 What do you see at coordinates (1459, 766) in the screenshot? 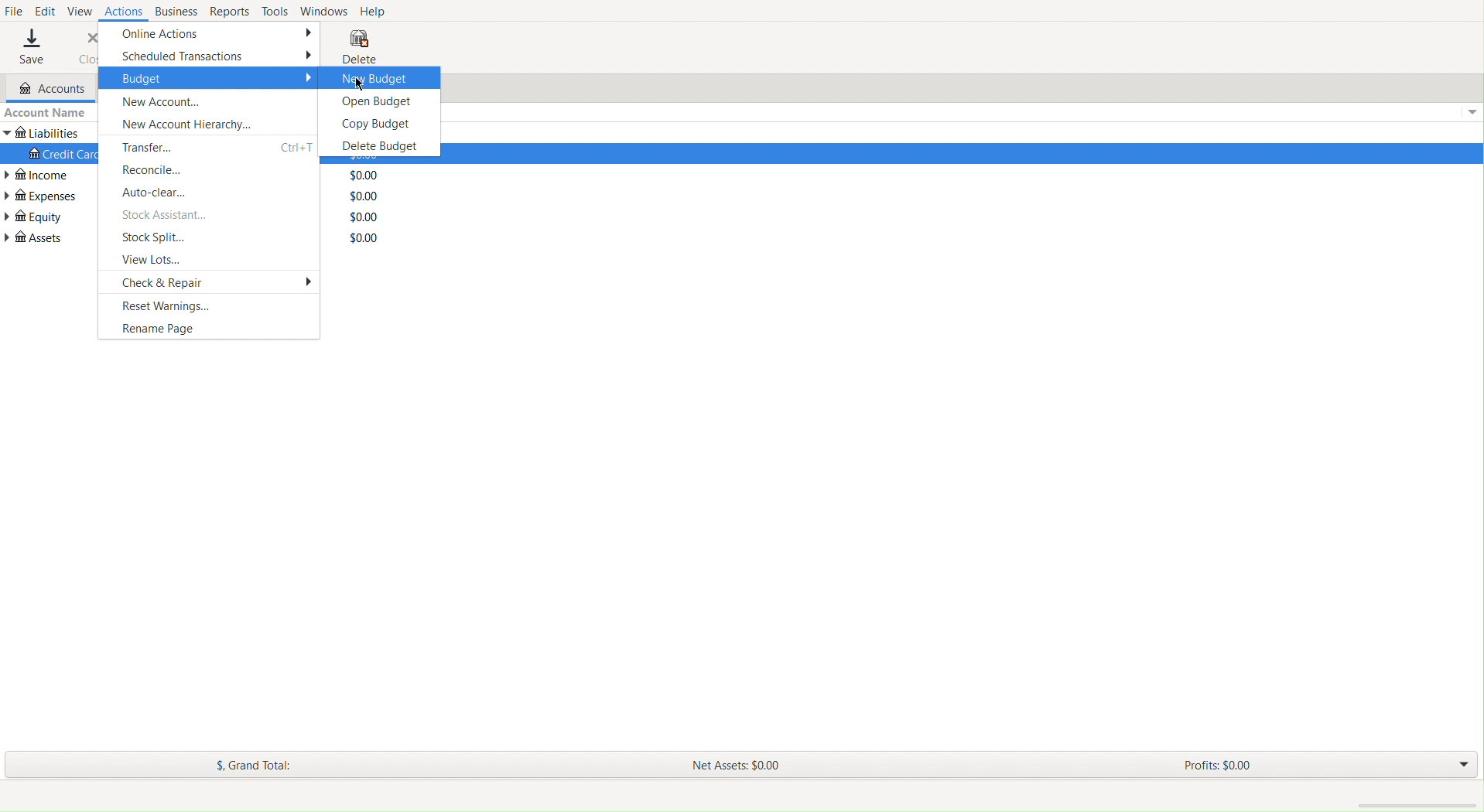
I see `Drop Down` at bounding box center [1459, 766].